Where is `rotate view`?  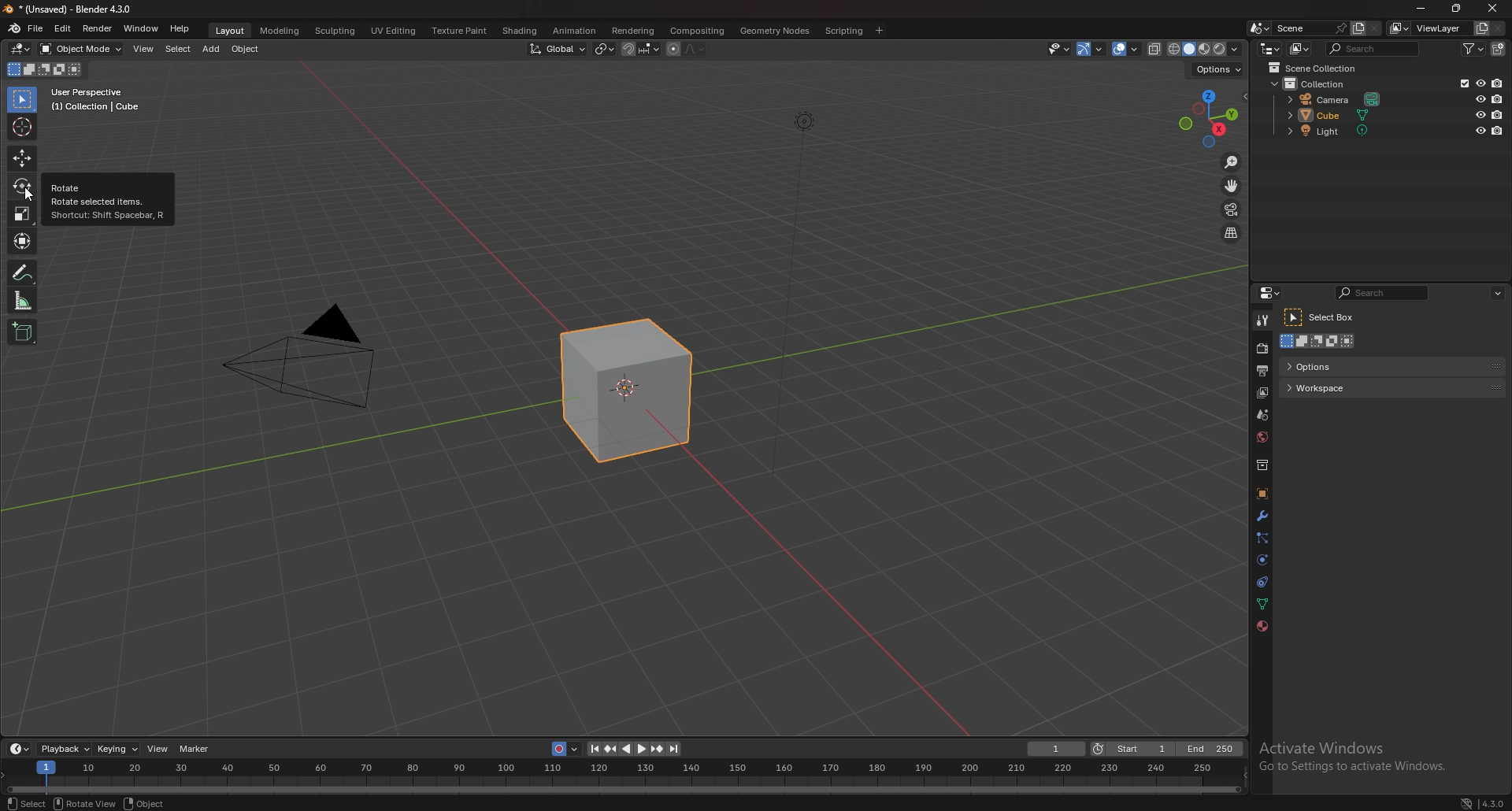 rotate view is located at coordinates (85, 803).